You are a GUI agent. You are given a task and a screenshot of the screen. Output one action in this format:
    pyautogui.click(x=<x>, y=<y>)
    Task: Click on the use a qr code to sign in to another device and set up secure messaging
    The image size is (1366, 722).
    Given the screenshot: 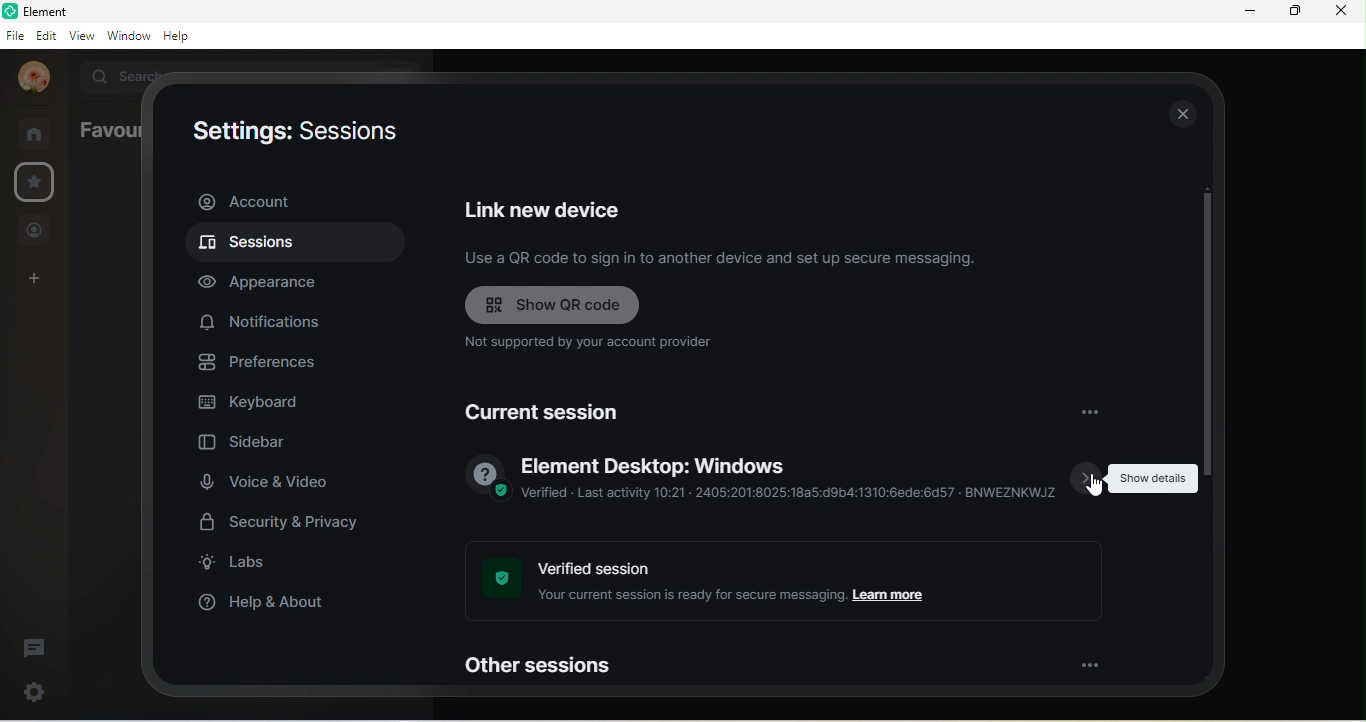 What is the action you would take?
    pyautogui.click(x=727, y=260)
    